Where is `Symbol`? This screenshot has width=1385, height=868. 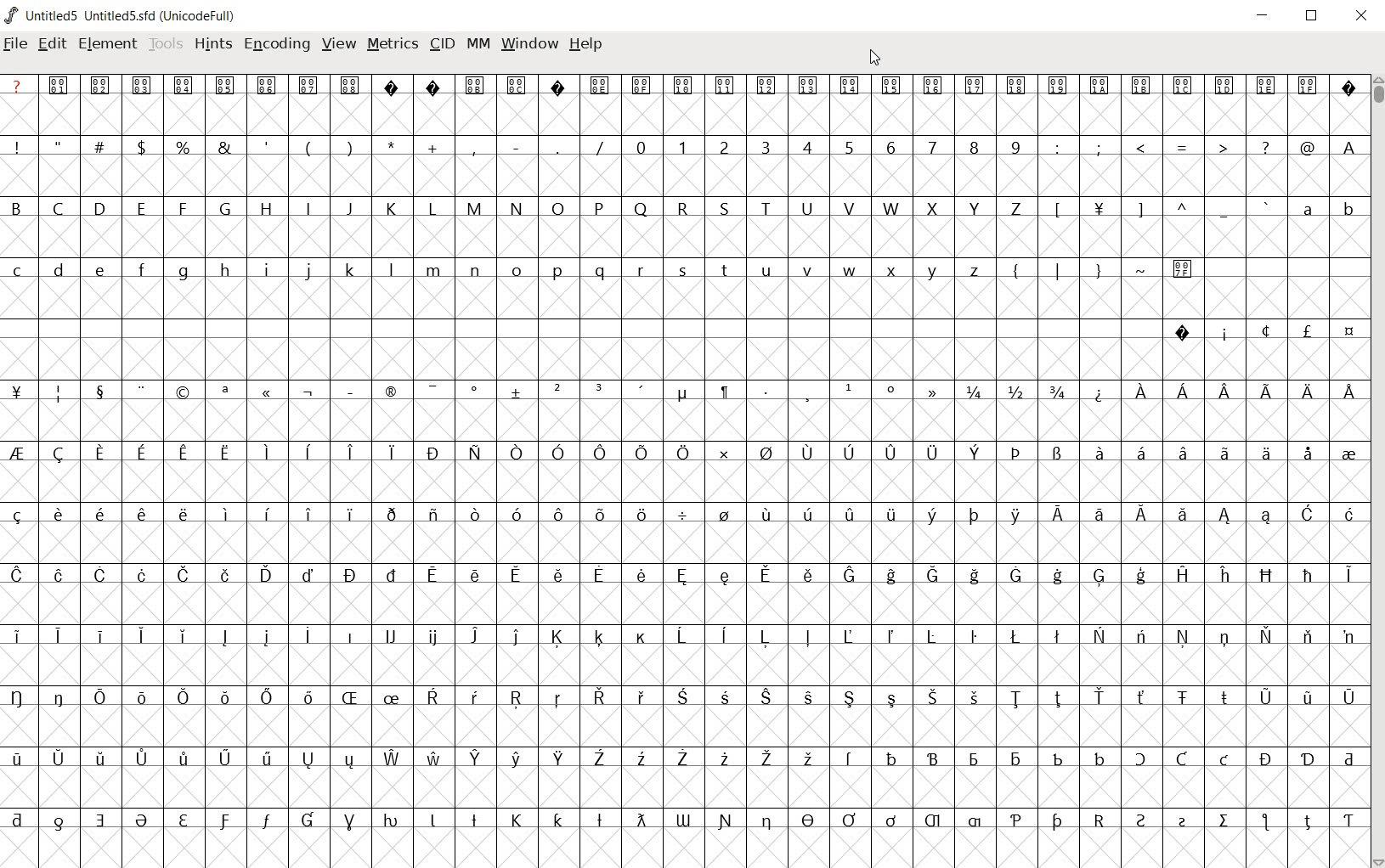 Symbol is located at coordinates (184, 637).